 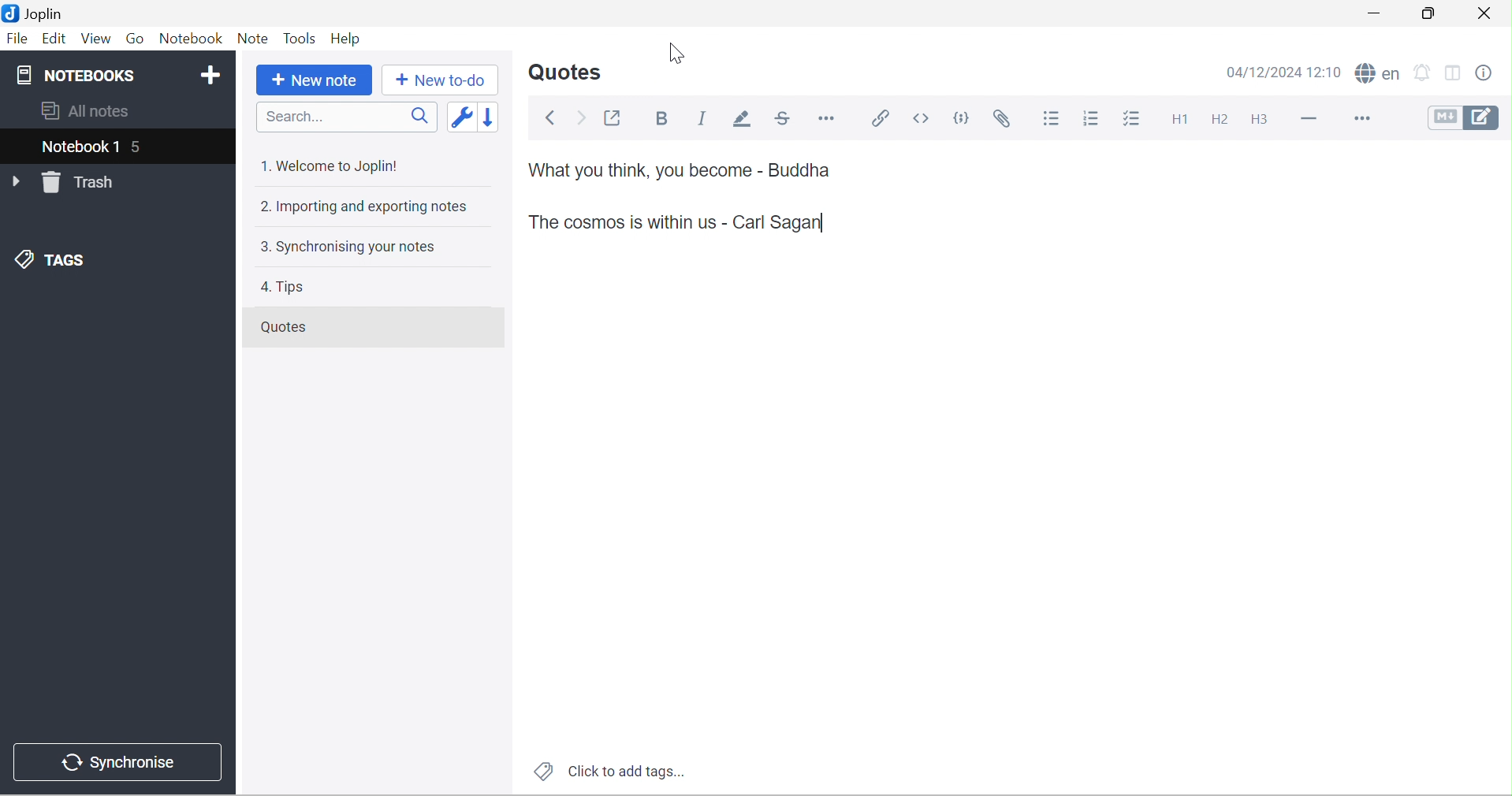 What do you see at coordinates (140, 146) in the screenshot?
I see `5` at bounding box center [140, 146].